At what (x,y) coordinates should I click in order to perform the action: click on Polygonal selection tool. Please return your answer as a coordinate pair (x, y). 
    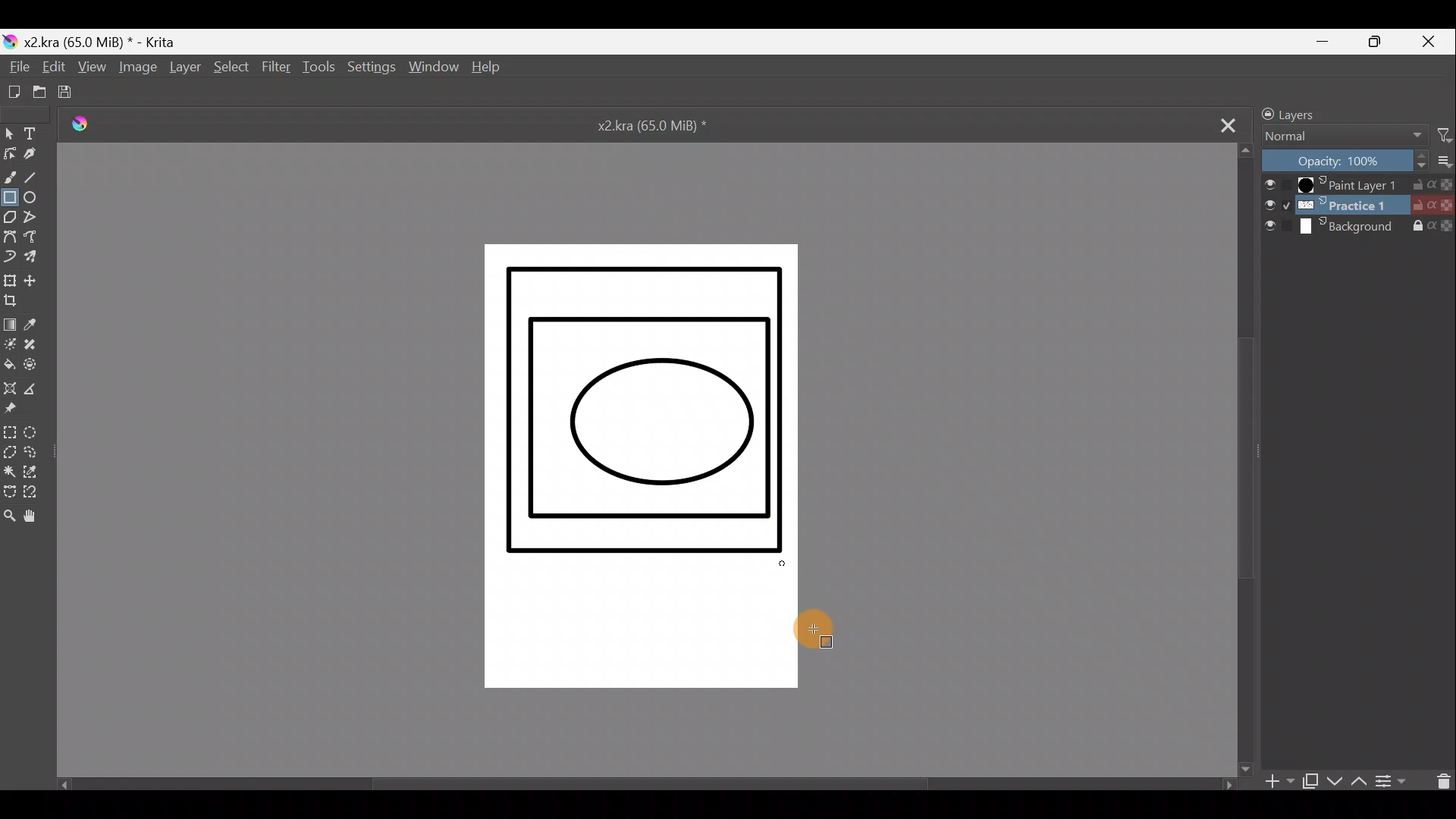
    Looking at the image, I should click on (10, 455).